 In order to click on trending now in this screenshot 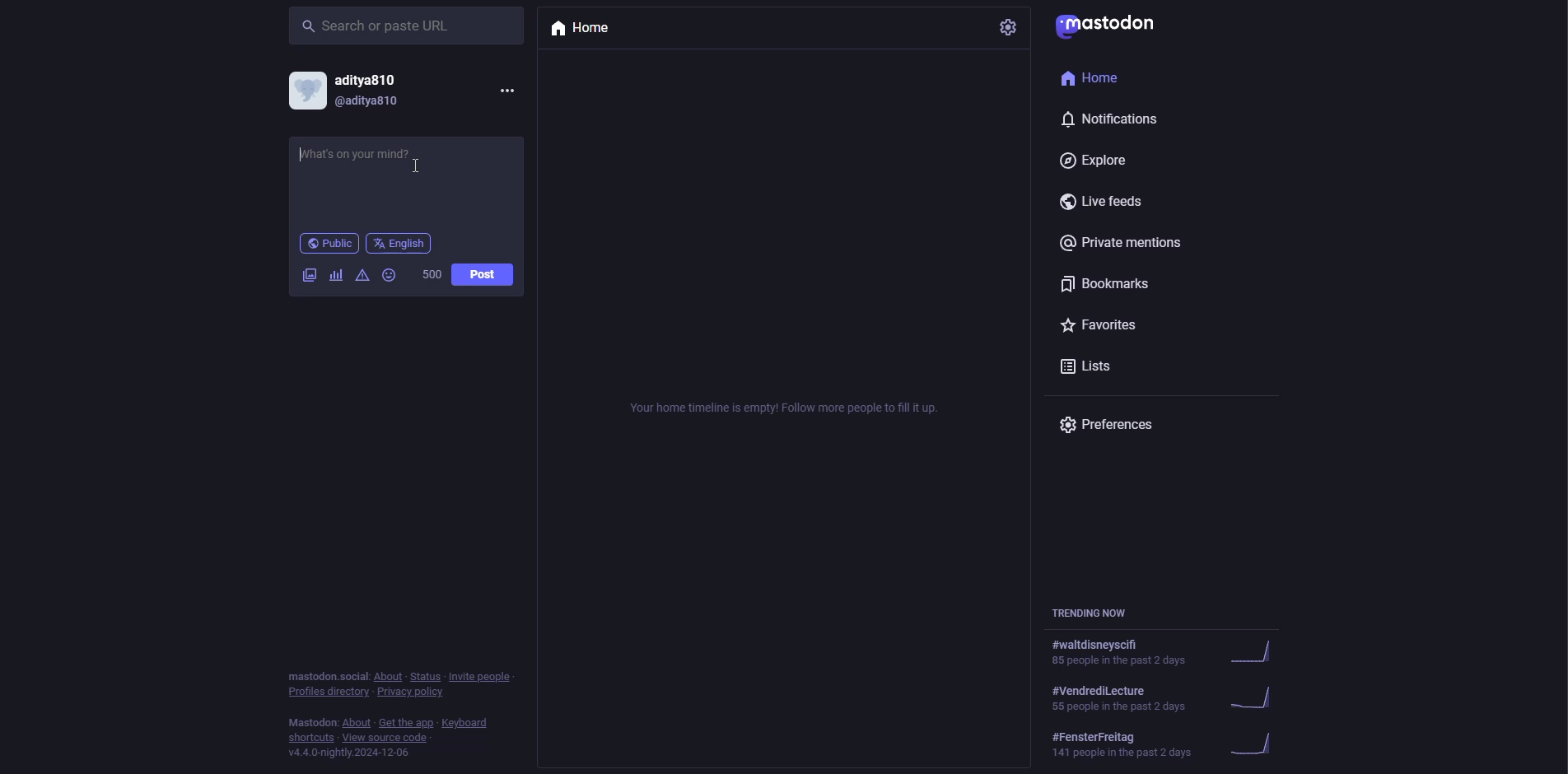, I will do `click(1092, 613)`.